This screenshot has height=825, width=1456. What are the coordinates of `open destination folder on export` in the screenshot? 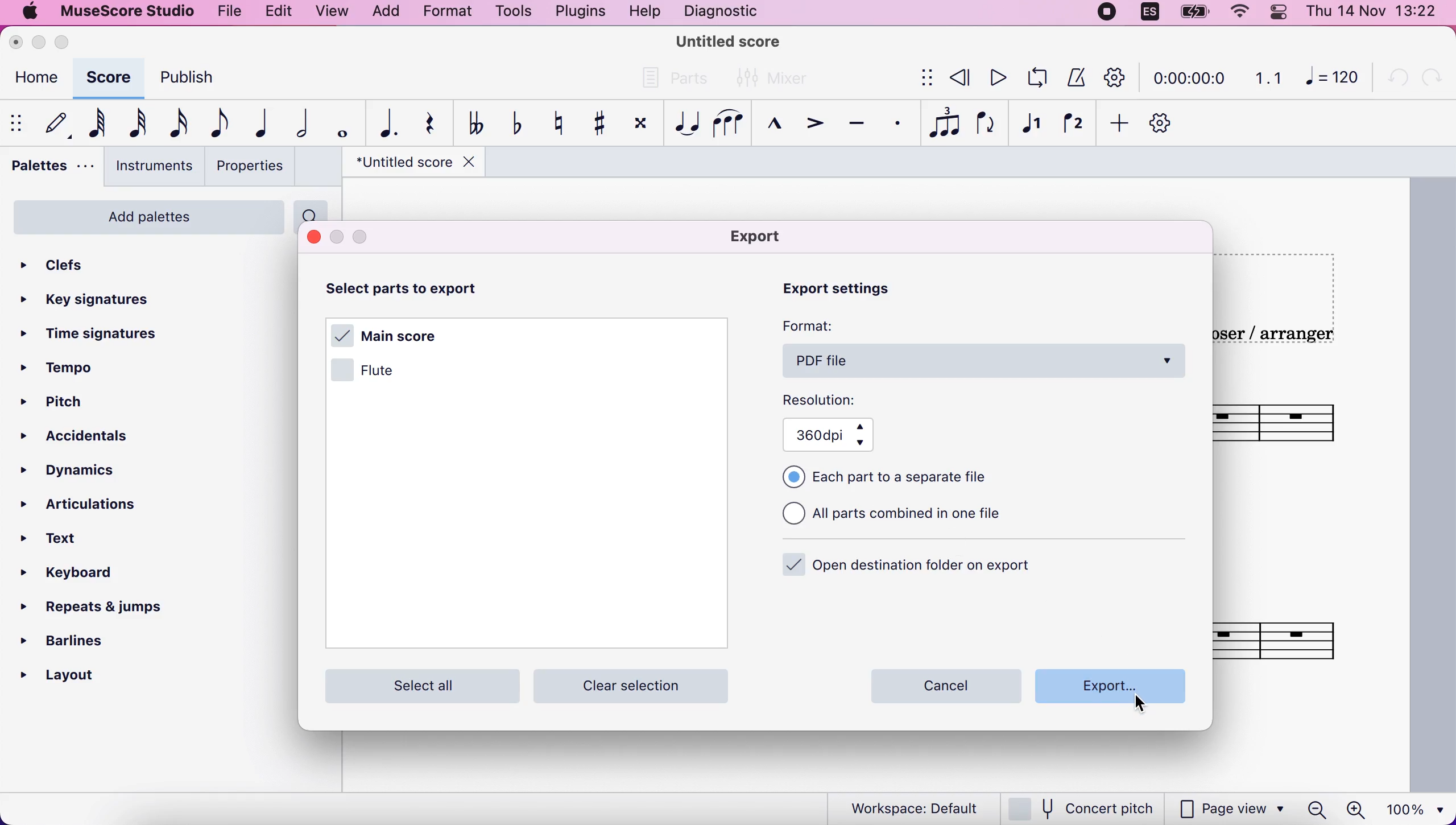 It's located at (912, 568).